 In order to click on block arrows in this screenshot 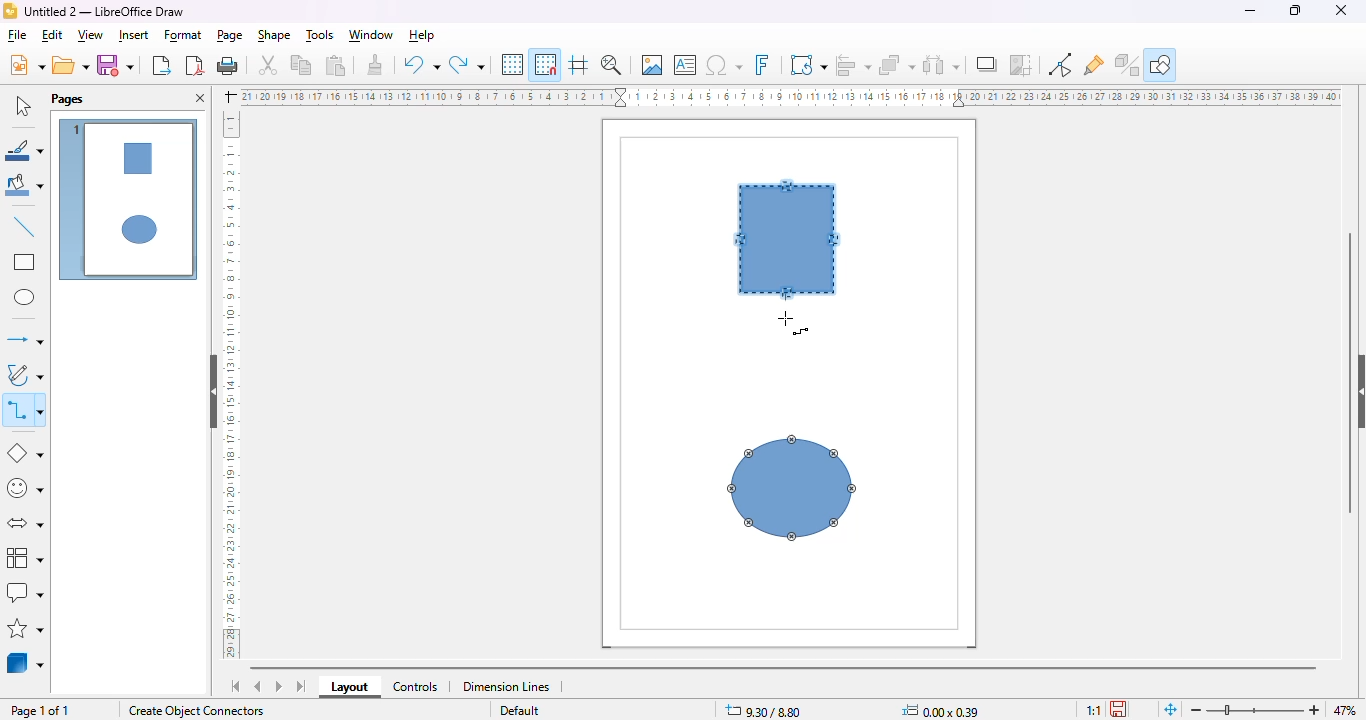, I will do `click(27, 523)`.